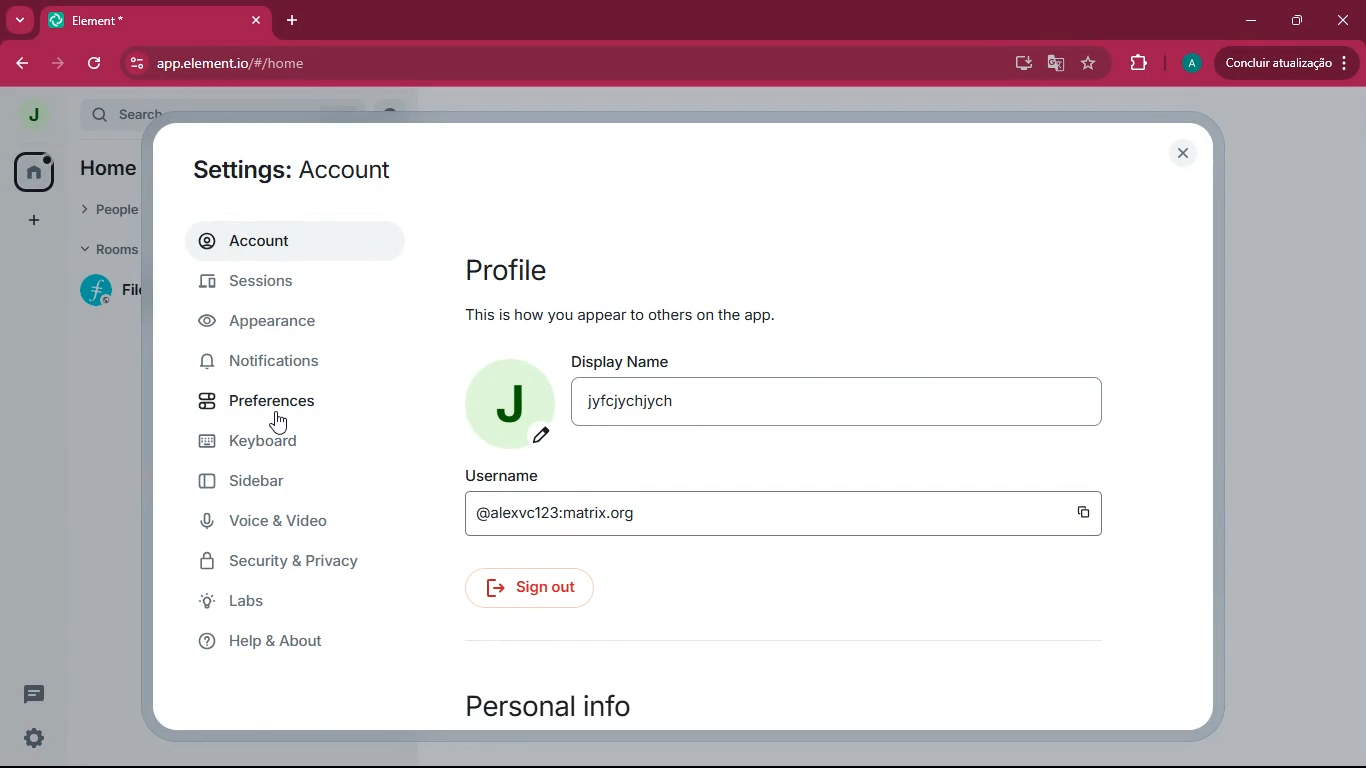 This screenshot has height=768, width=1366. What do you see at coordinates (261, 405) in the screenshot?
I see `Preferences` at bounding box center [261, 405].